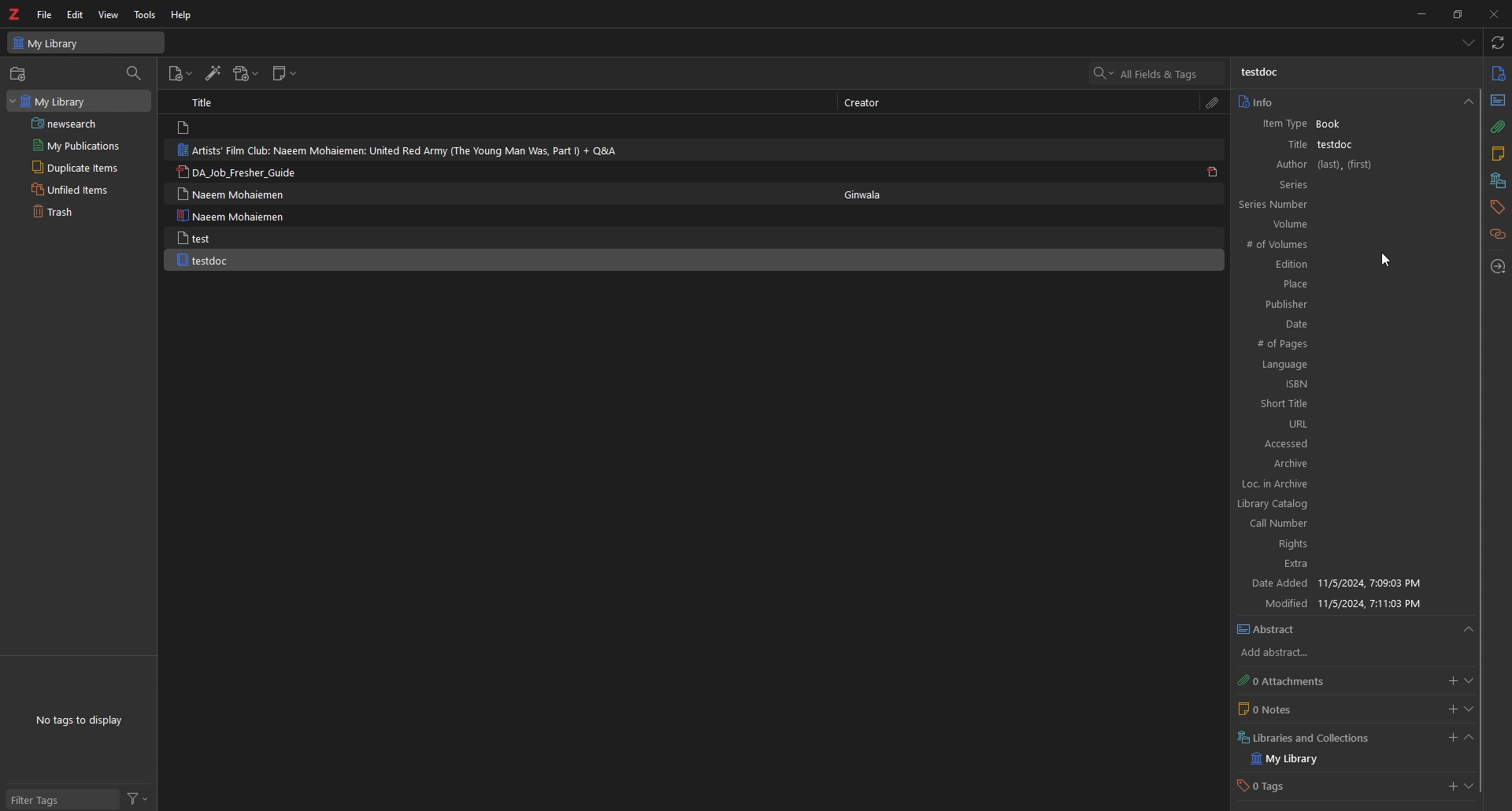 The width and height of the screenshot is (1512, 811). I want to click on Date Added, so click(1280, 582).